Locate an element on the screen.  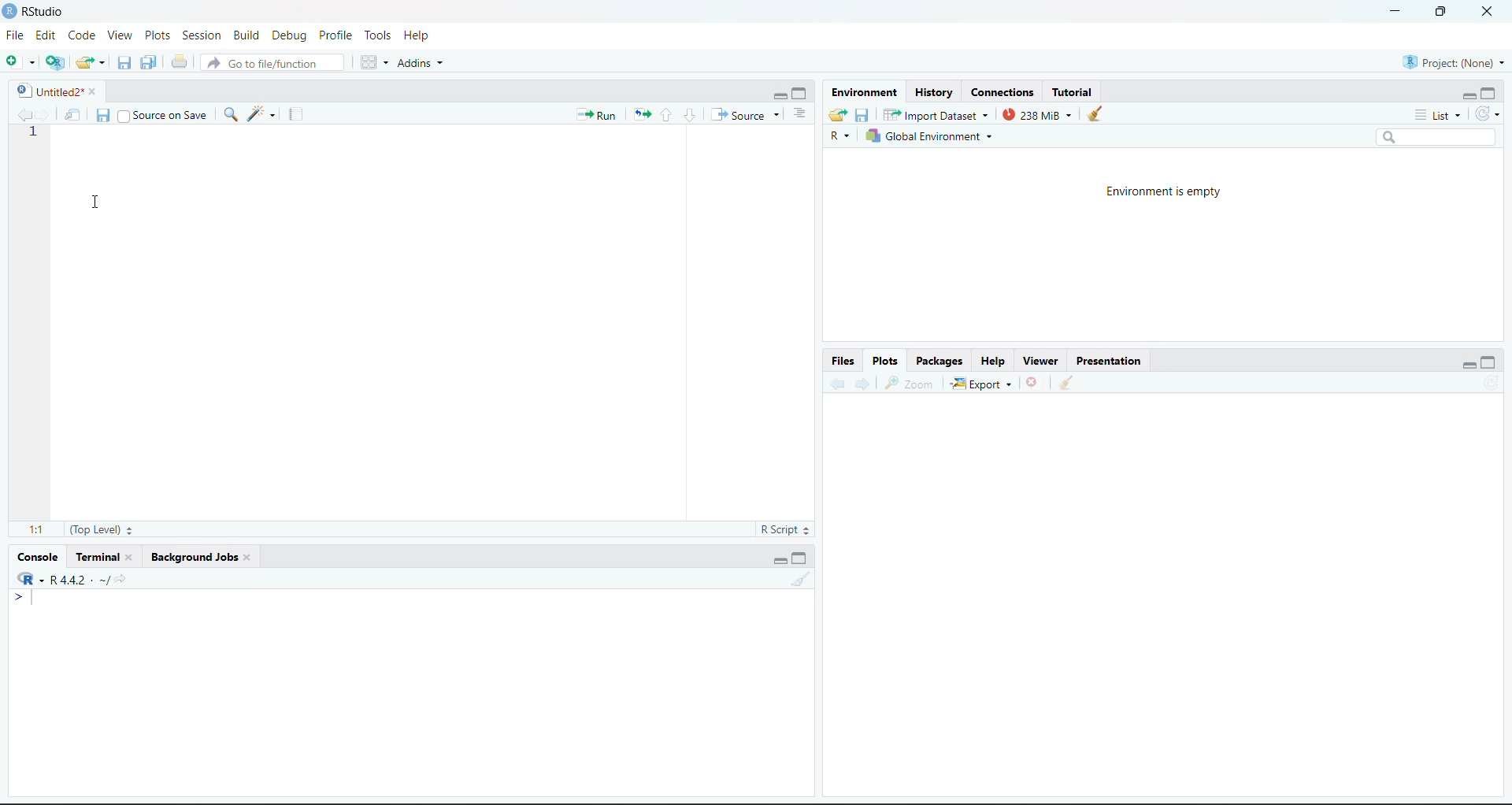
Plots is located at coordinates (885, 361).